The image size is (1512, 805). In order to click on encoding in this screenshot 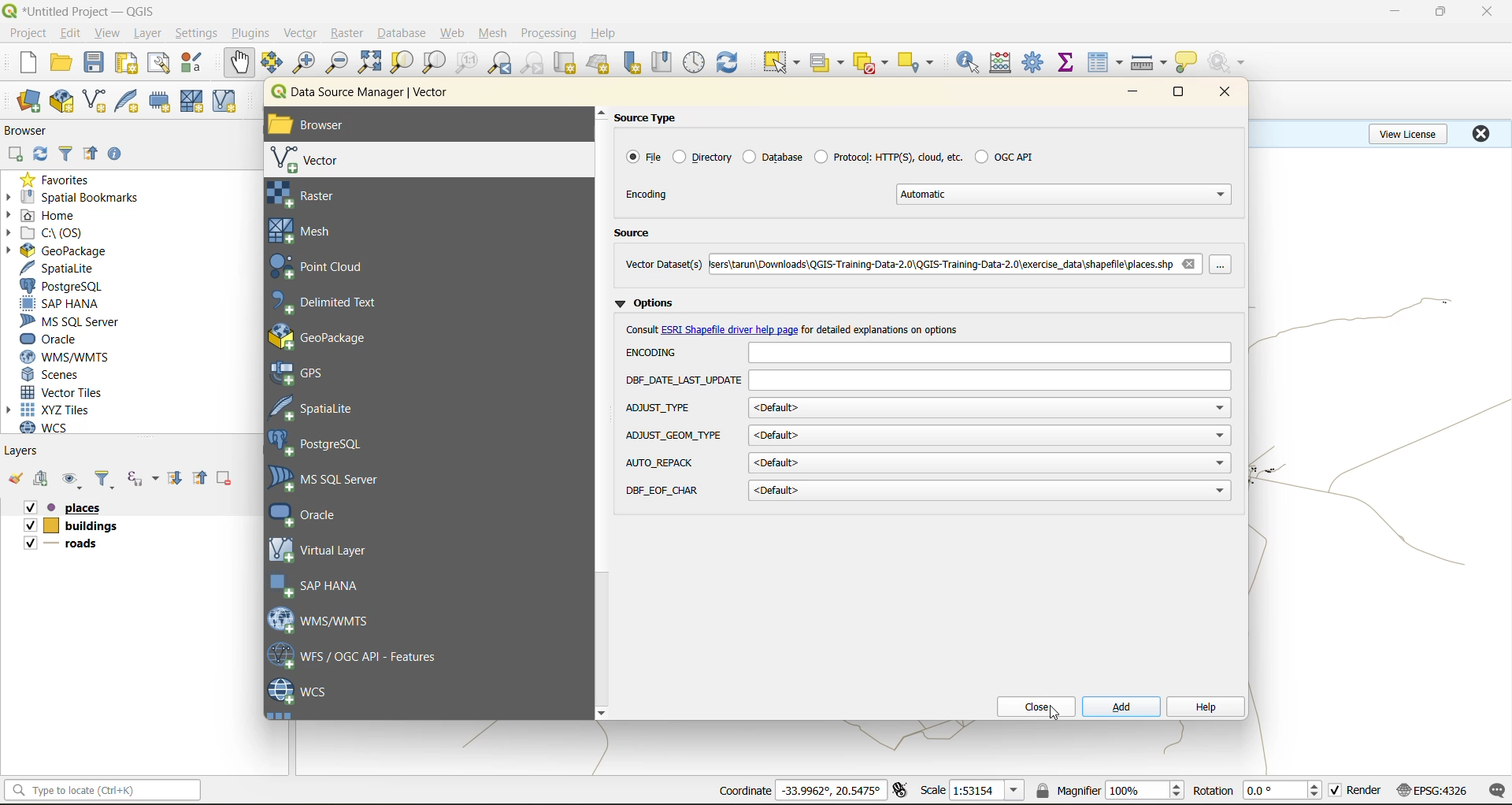, I will do `click(988, 353)`.